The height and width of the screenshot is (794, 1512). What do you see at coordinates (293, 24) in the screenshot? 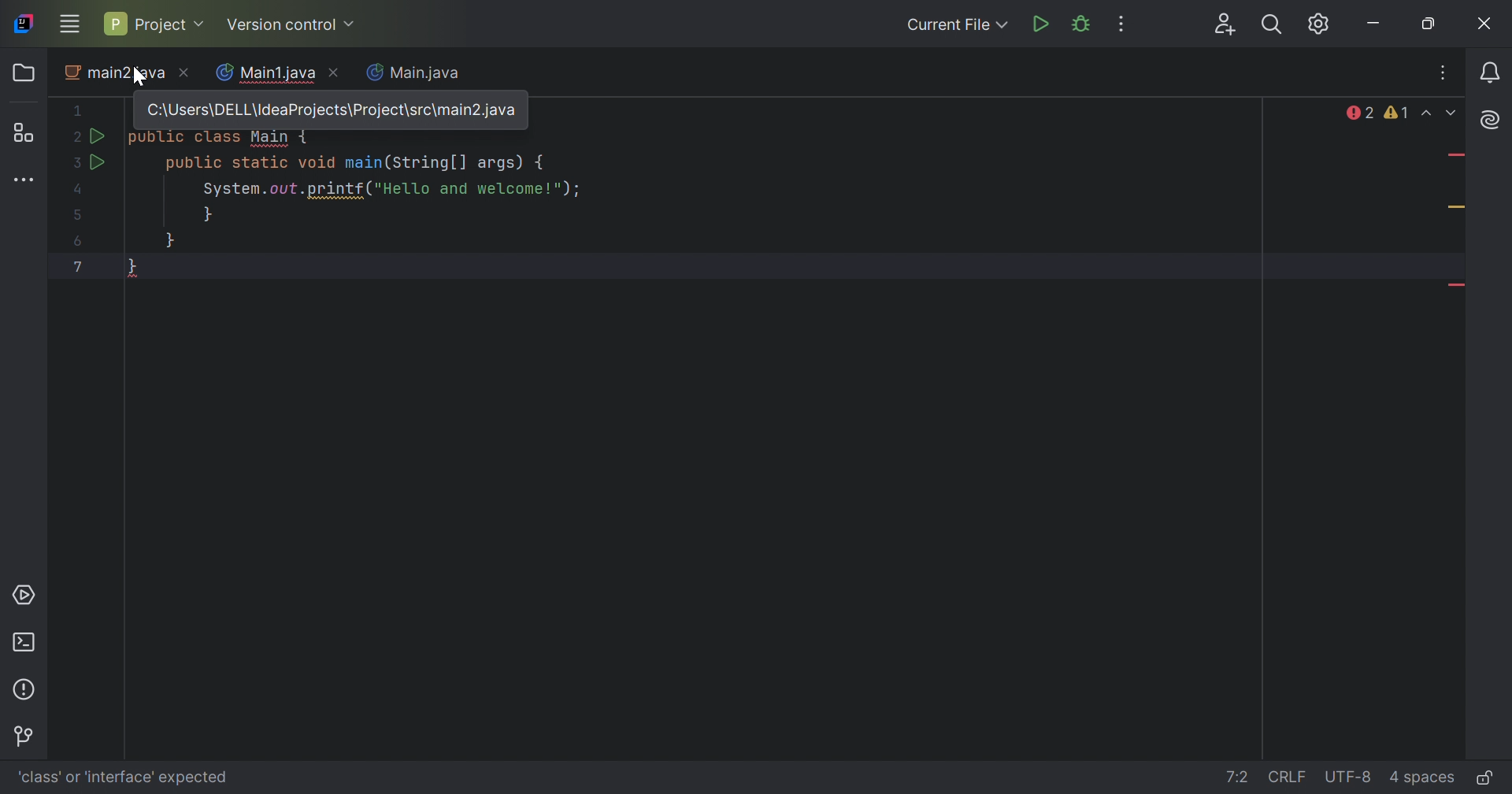
I see `Version control` at bounding box center [293, 24].